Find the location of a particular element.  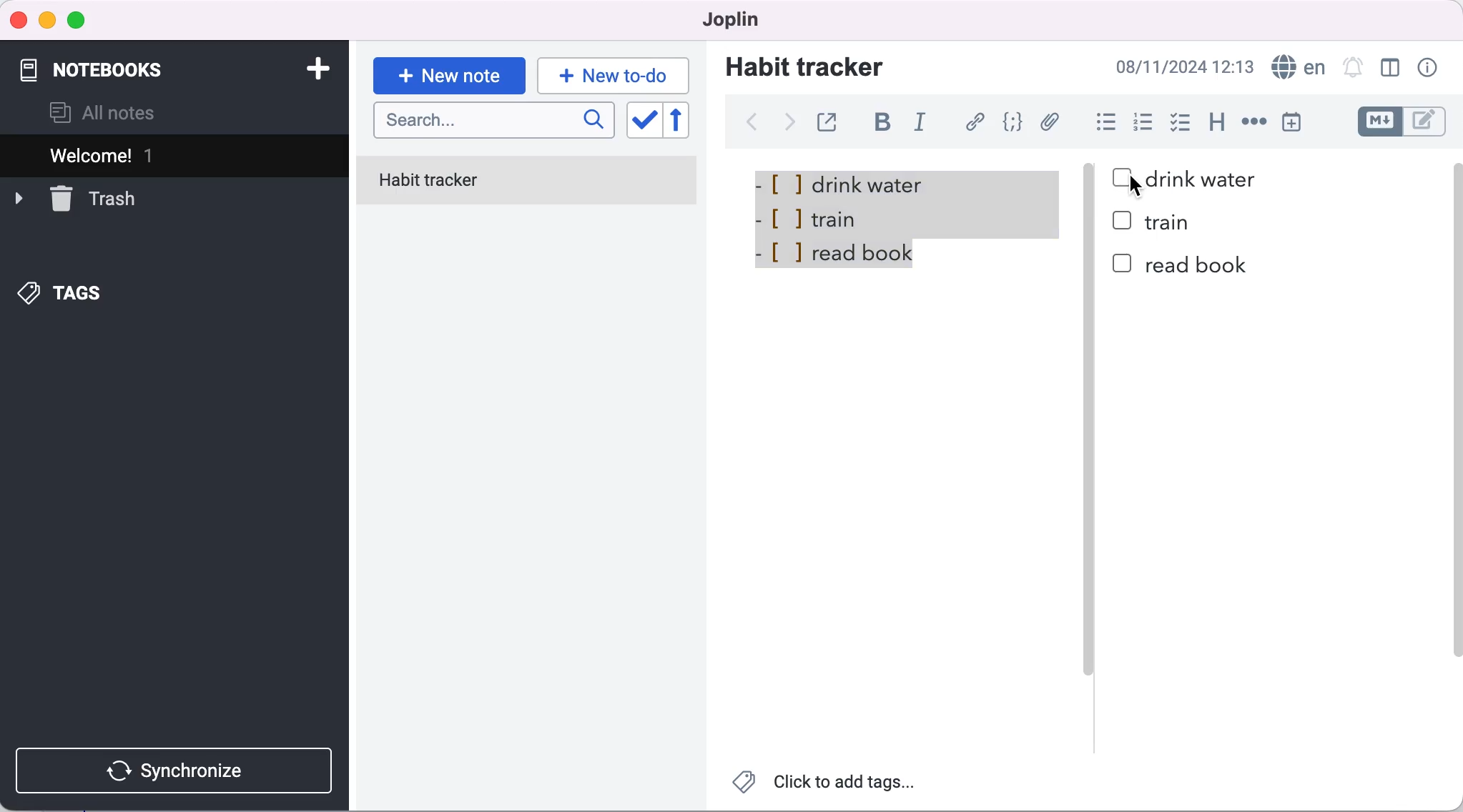

search is located at coordinates (494, 122).